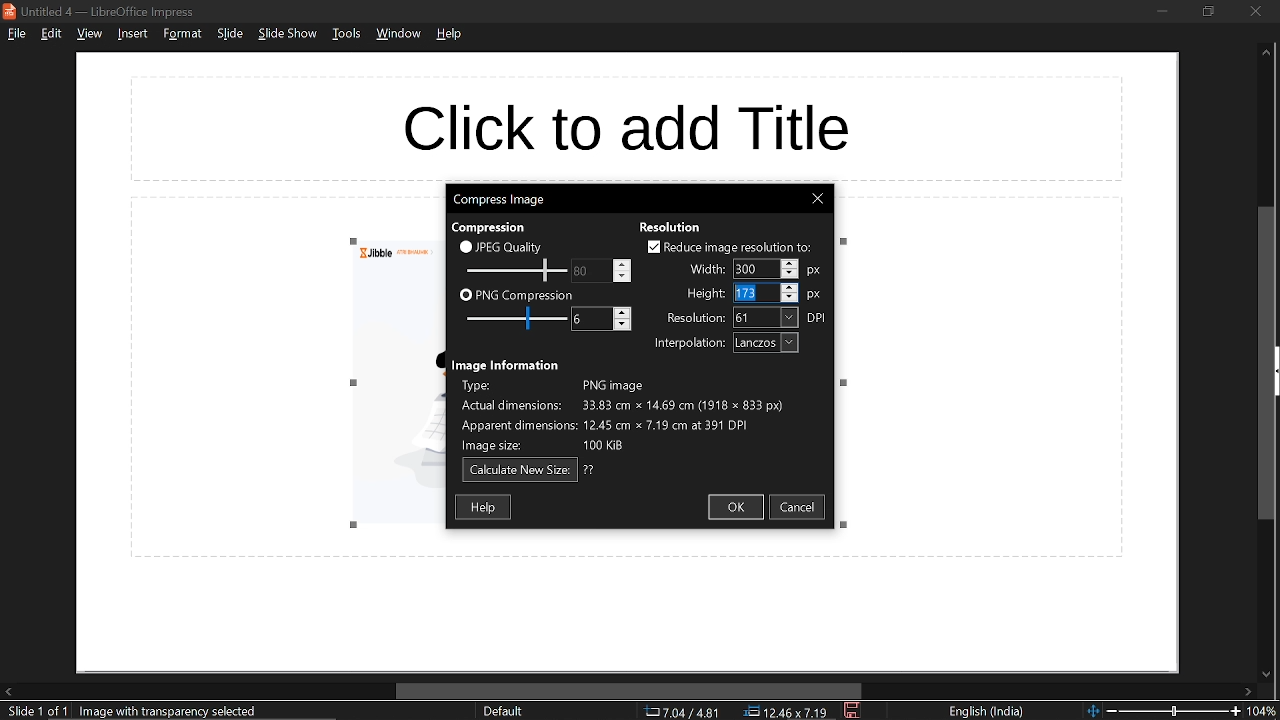 Image resolution: width=1280 pixels, height=720 pixels. I want to click on close, so click(1257, 11).